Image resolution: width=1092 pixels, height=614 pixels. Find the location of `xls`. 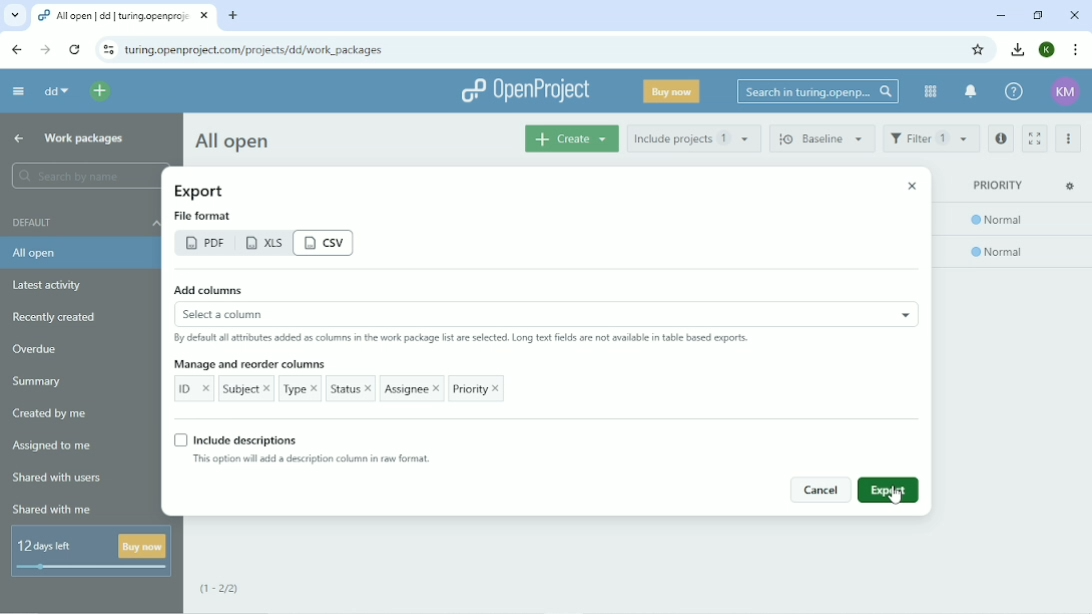

xls is located at coordinates (264, 240).